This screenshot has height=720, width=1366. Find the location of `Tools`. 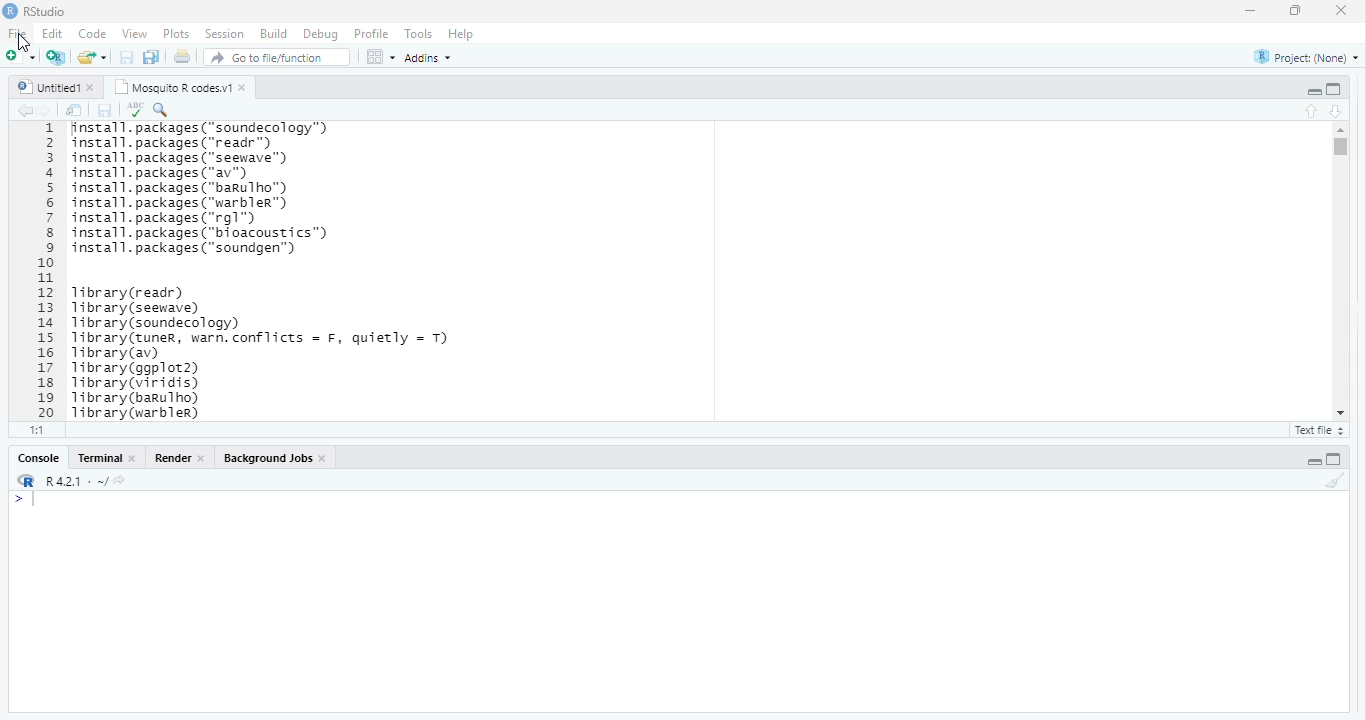

Tools is located at coordinates (419, 34).